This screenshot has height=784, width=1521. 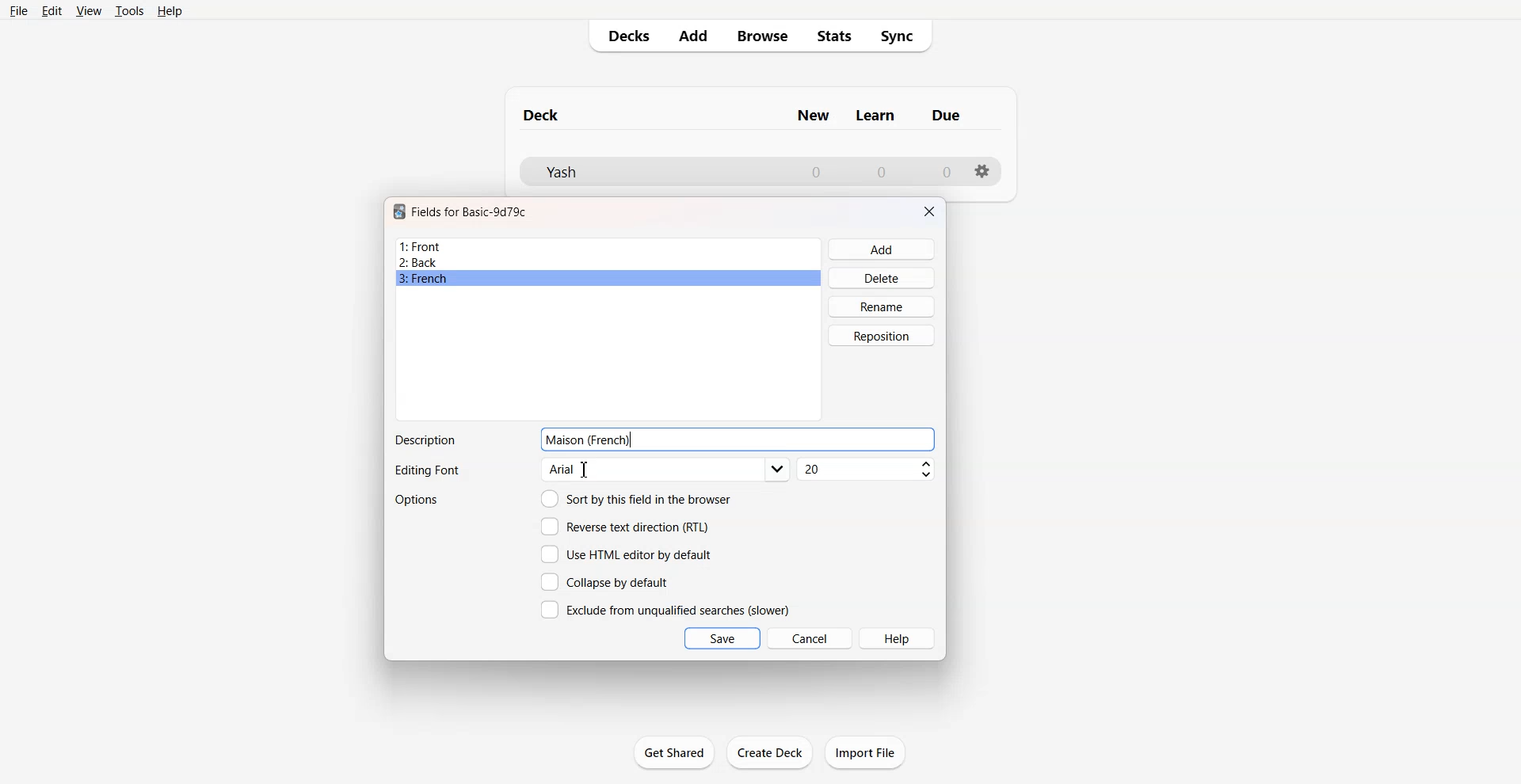 I want to click on Browse, so click(x=761, y=36).